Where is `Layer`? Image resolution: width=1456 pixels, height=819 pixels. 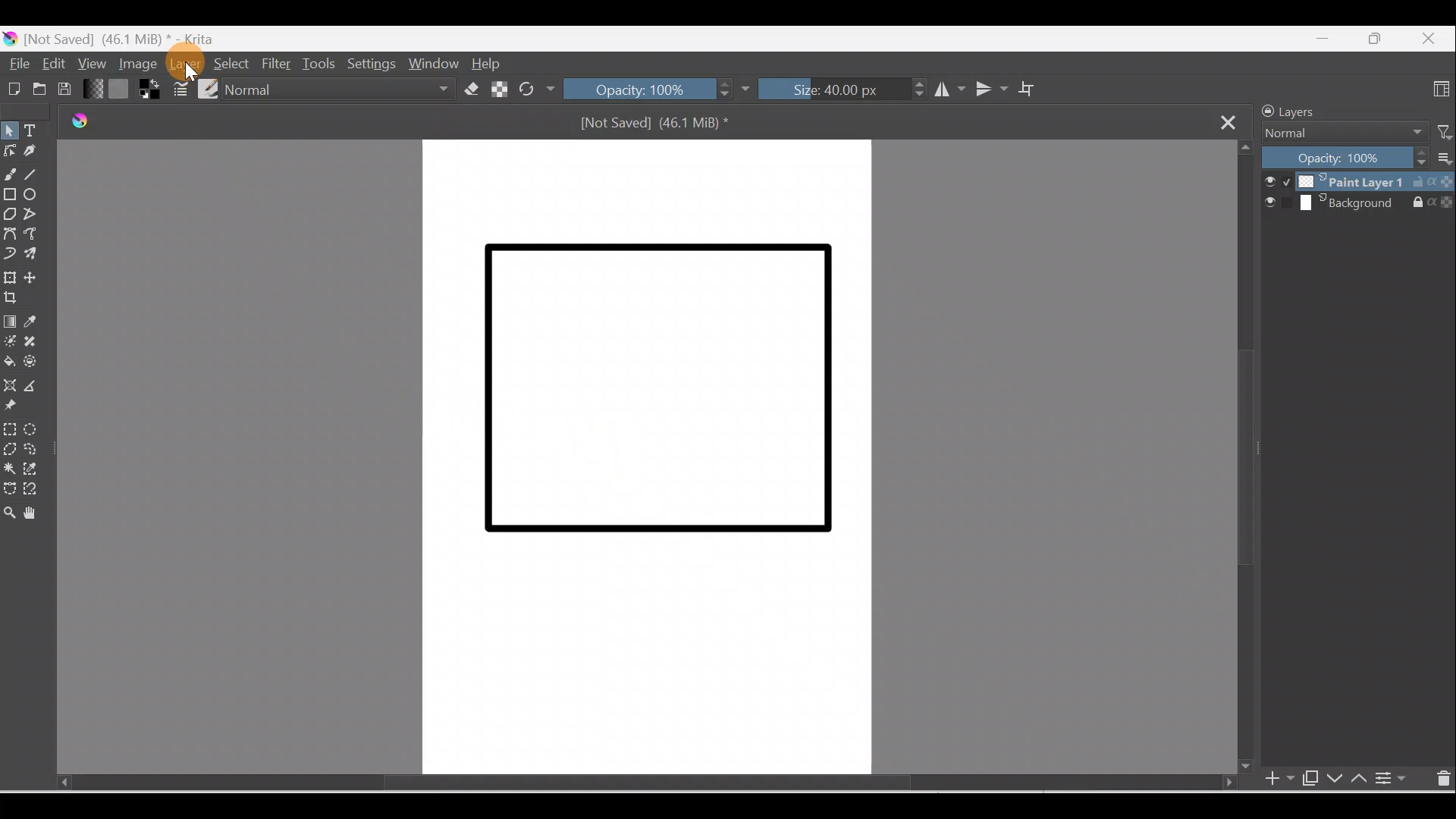 Layer is located at coordinates (186, 64).